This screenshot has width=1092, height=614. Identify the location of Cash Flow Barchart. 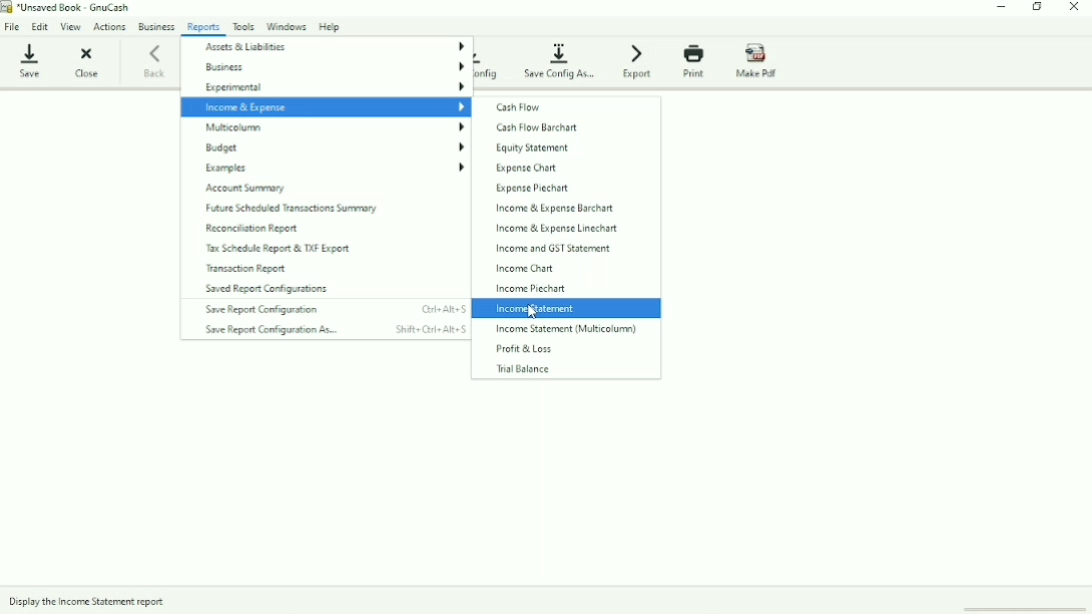
(537, 127).